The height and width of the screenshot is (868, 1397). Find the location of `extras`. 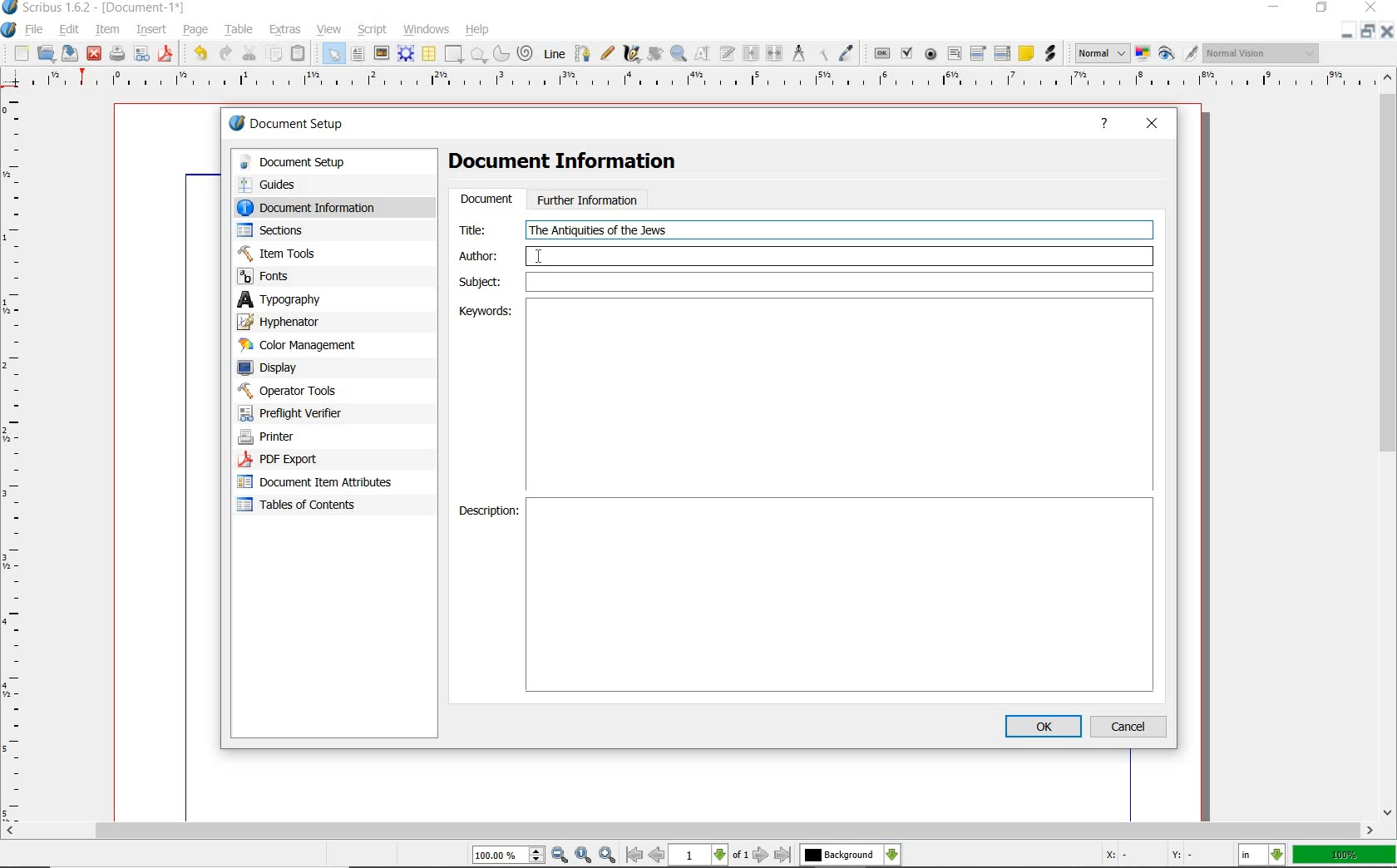

extras is located at coordinates (286, 30).